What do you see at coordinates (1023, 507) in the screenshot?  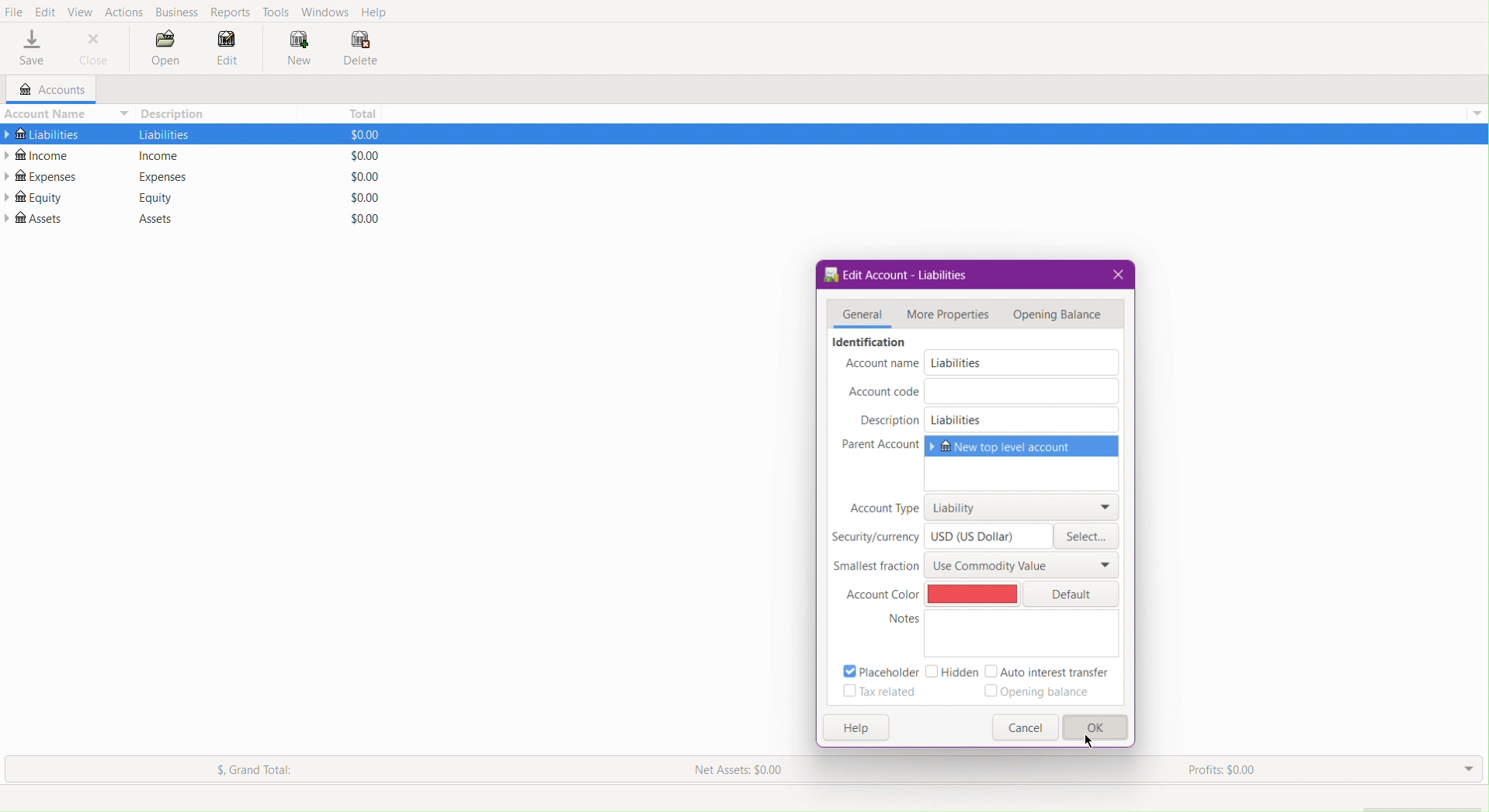 I see `Liability` at bounding box center [1023, 507].